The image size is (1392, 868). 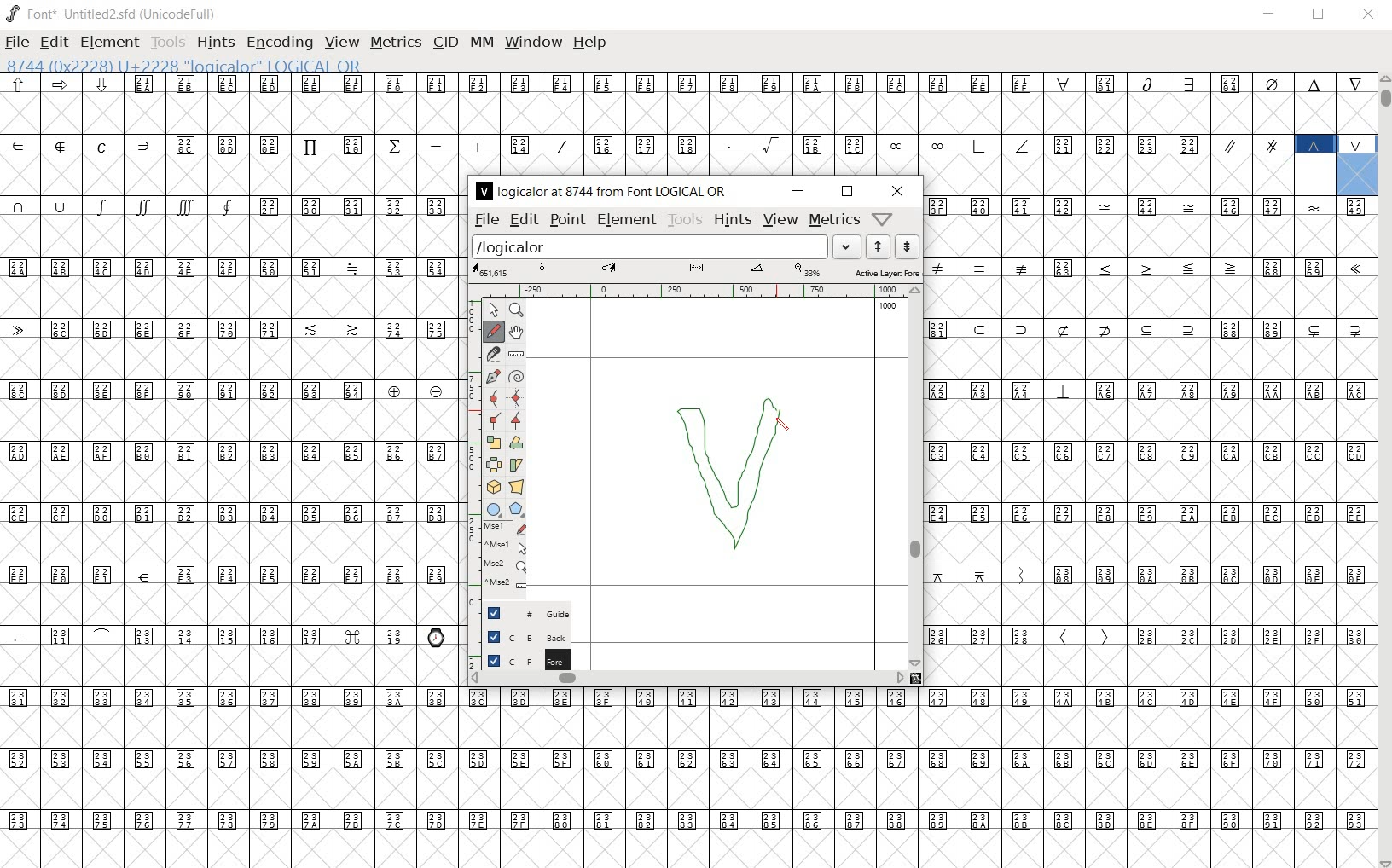 What do you see at coordinates (109, 13) in the screenshot?
I see `font* Untitled2.sfd (UnicodeFull)` at bounding box center [109, 13].